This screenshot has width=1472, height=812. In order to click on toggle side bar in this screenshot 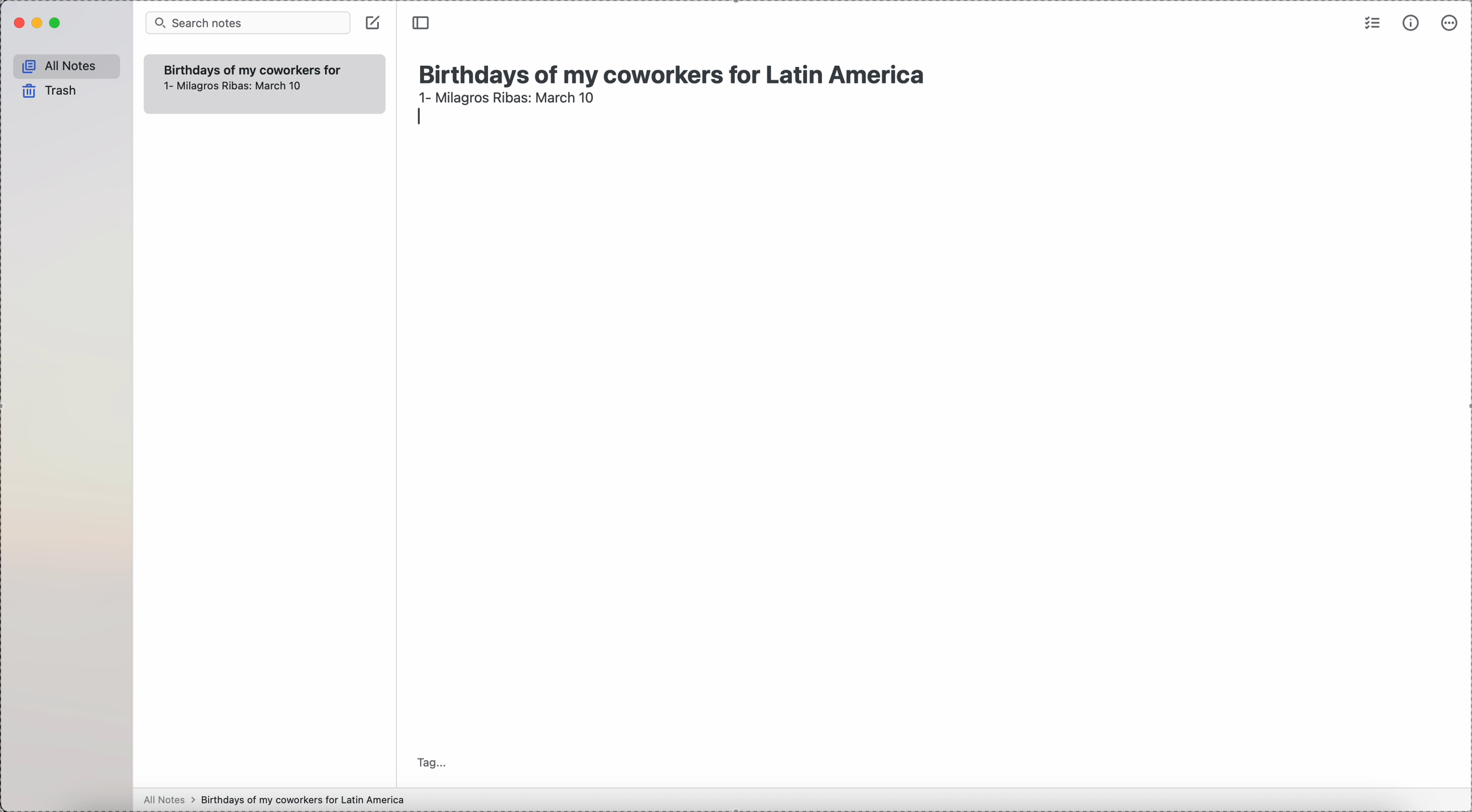, I will do `click(422, 23)`.